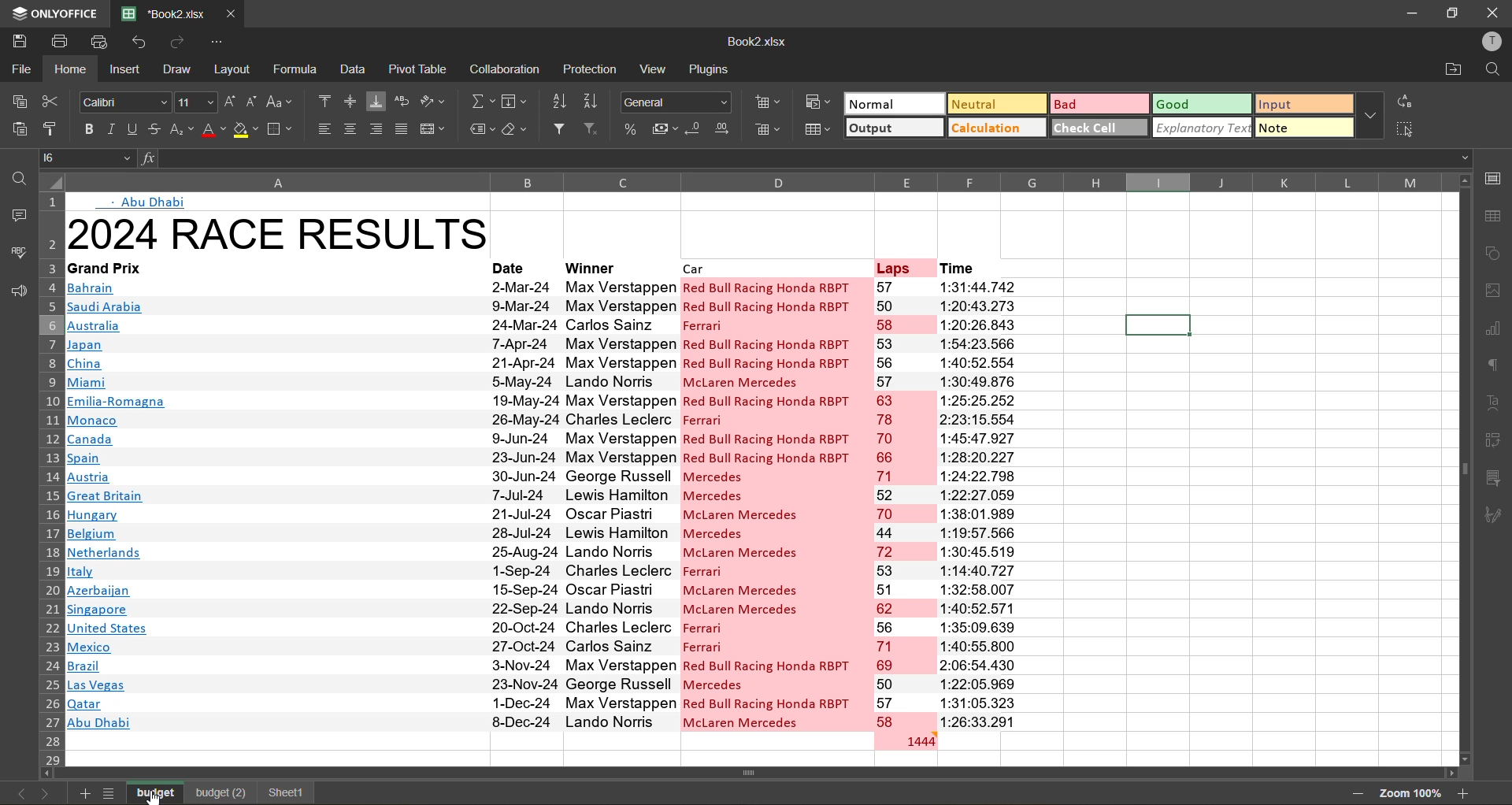  I want to click on calculation, so click(998, 128).